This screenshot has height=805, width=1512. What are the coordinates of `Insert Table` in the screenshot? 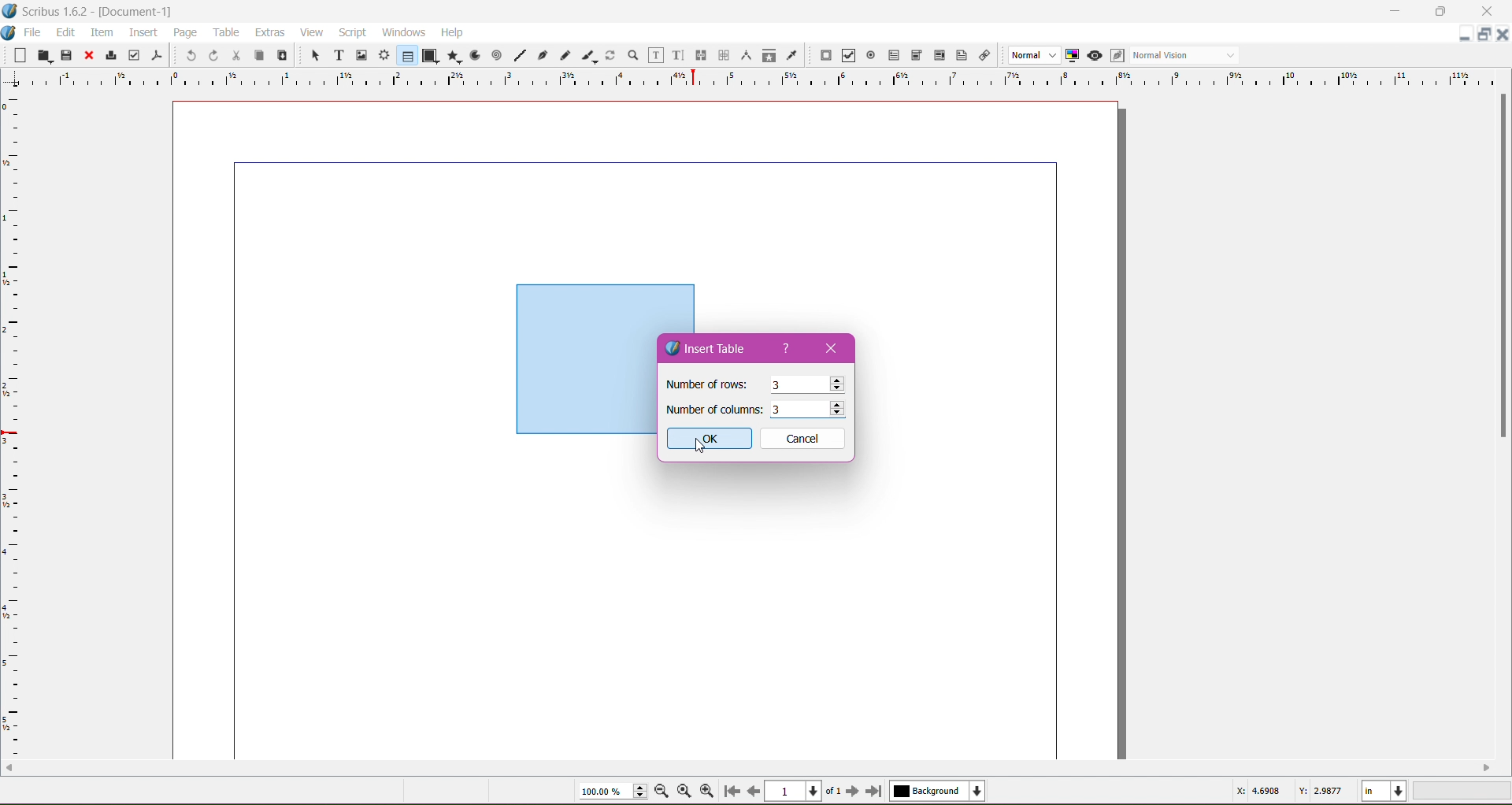 It's located at (713, 348).